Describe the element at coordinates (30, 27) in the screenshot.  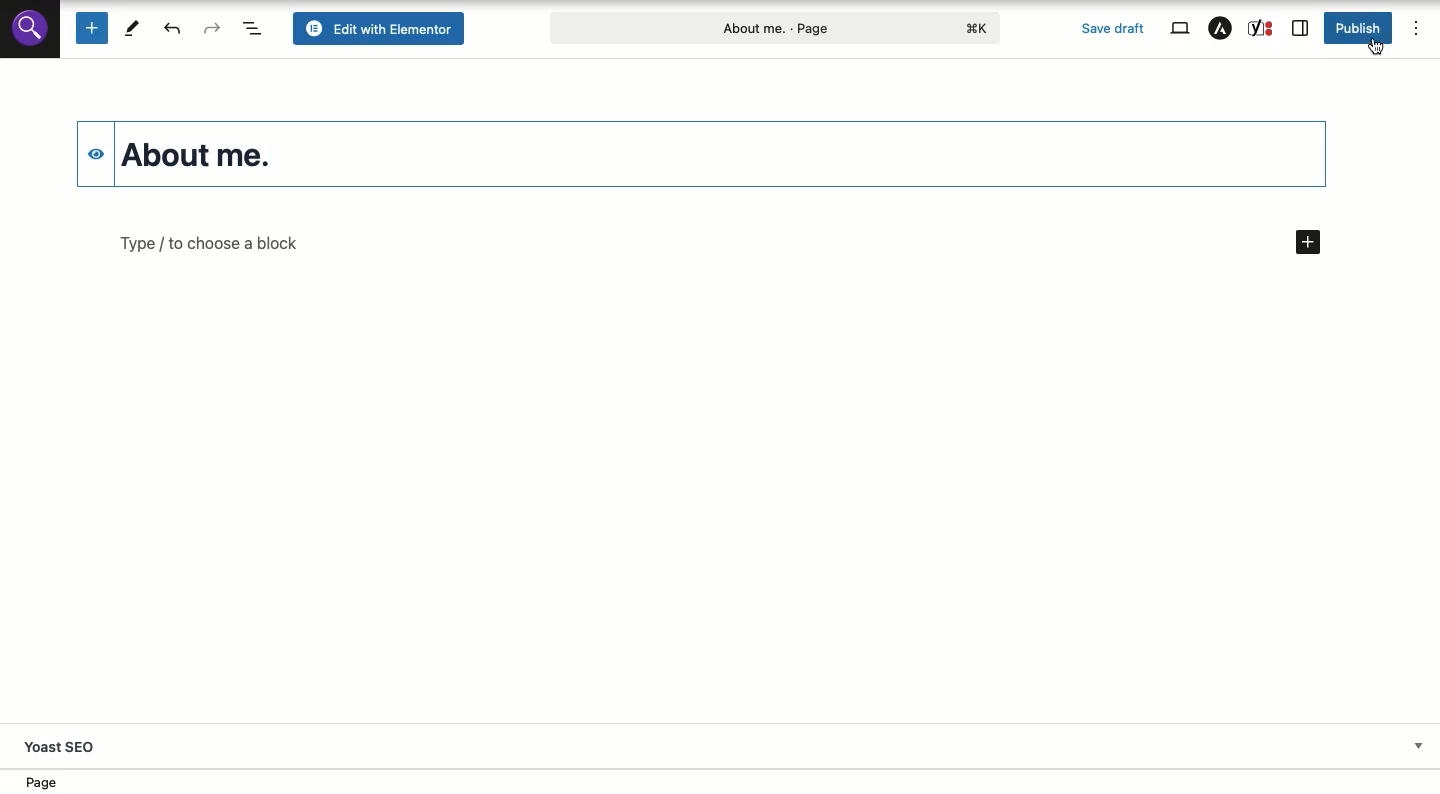
I see `Search` at that location.